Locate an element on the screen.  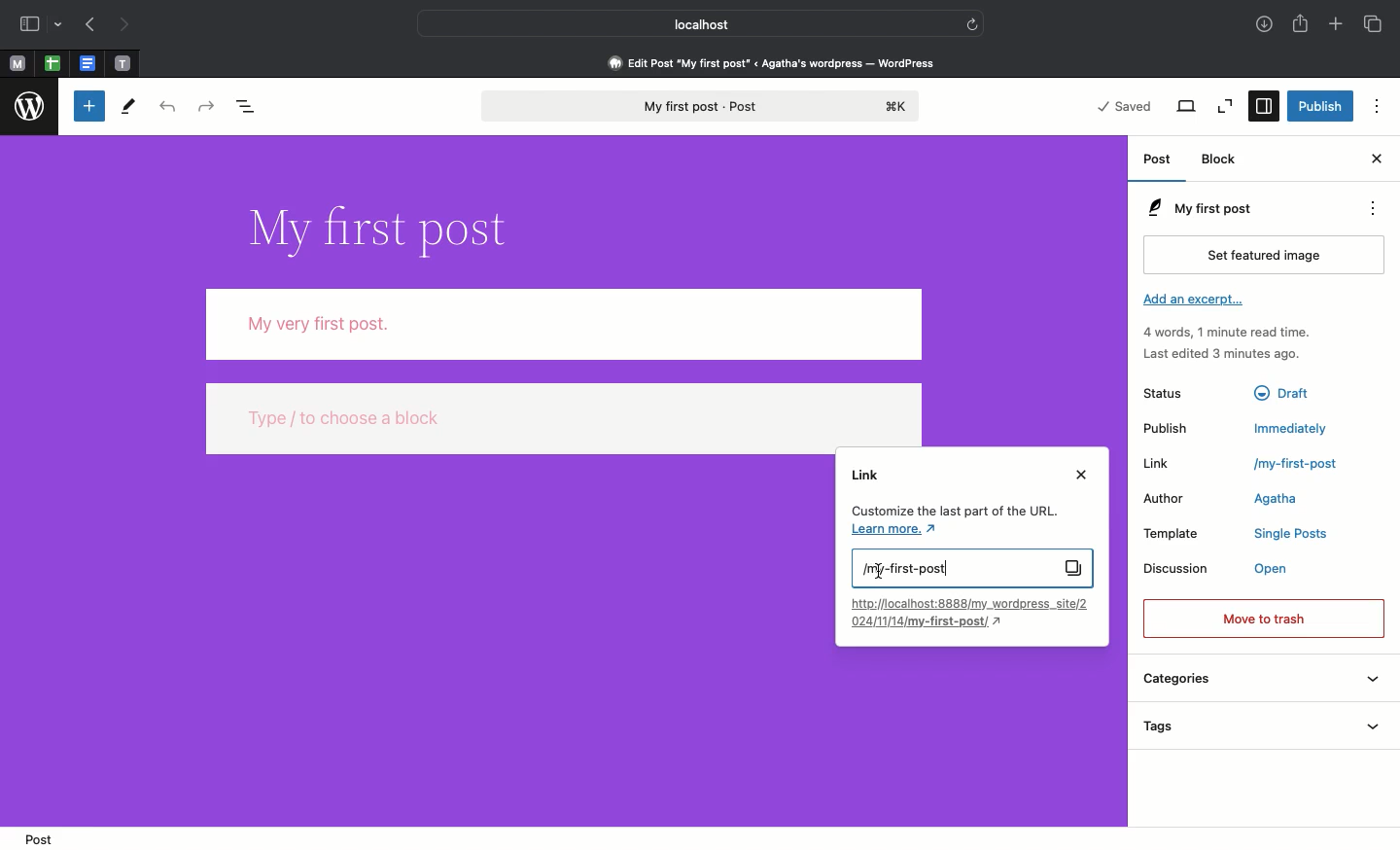
Add new tab is located at coordinates (1337, 25).